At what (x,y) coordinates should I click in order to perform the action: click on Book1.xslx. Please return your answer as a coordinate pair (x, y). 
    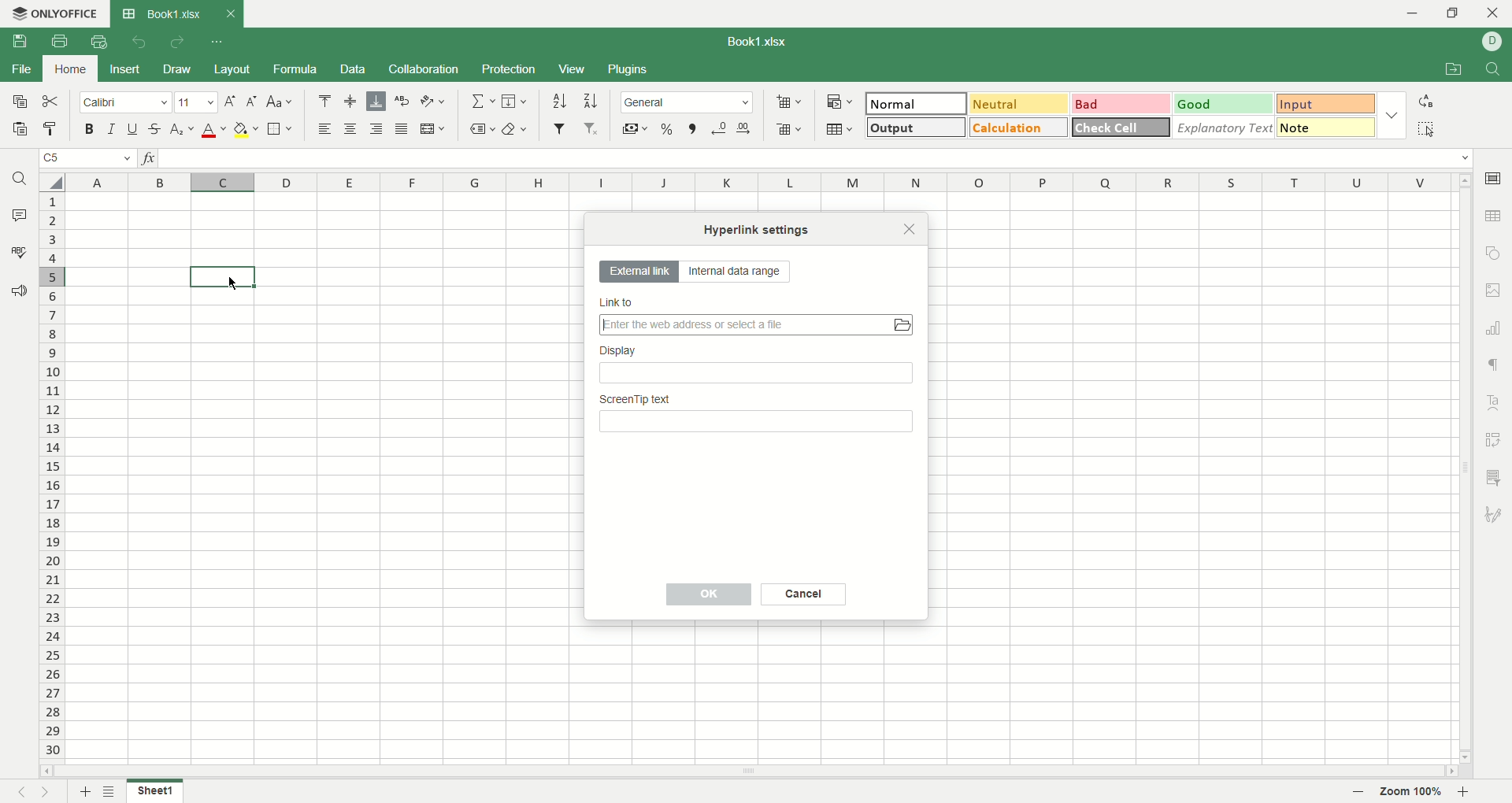
    Looking at the image, I should click on (176, 13).